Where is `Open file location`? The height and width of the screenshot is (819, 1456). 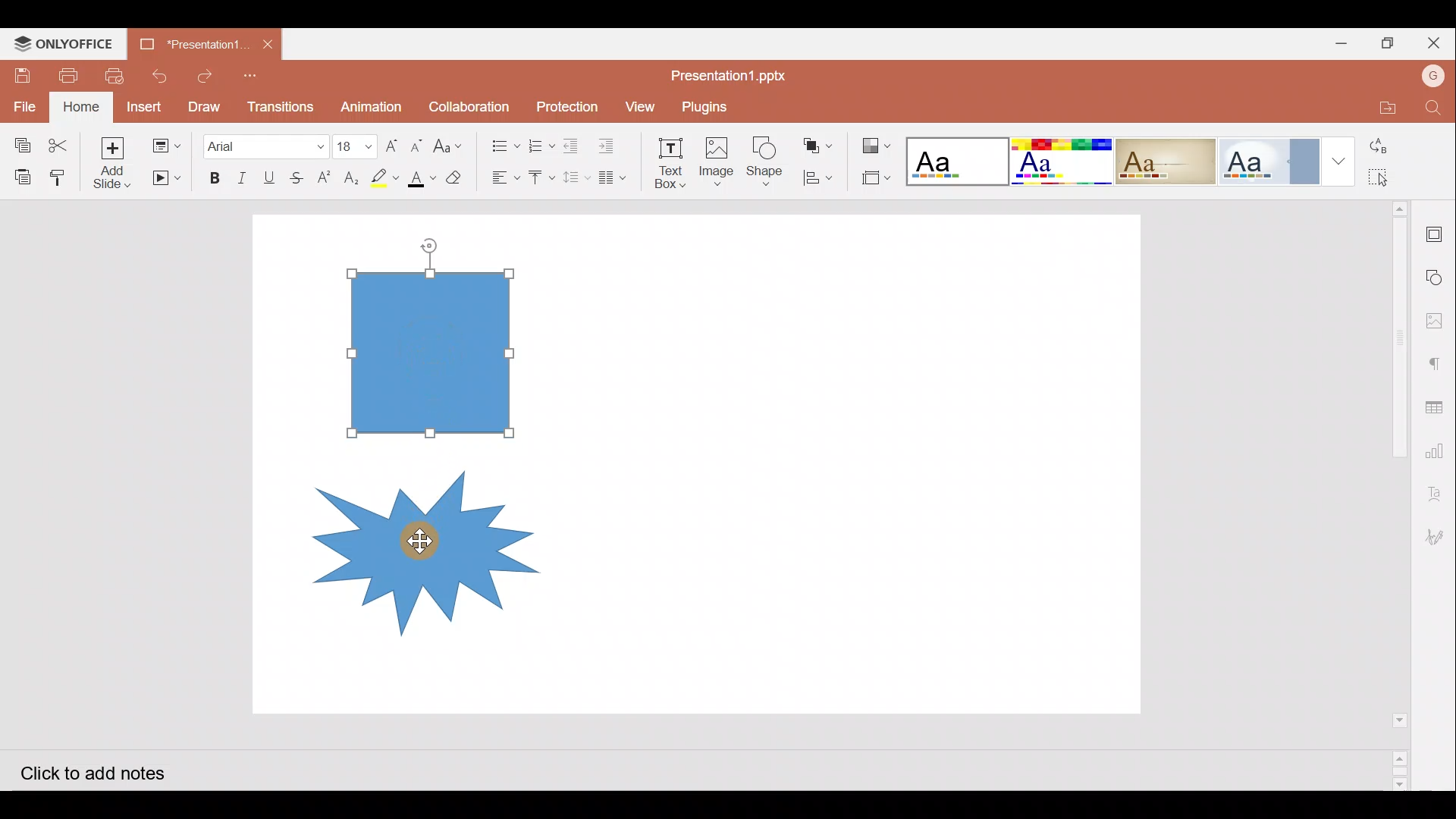 Open file location is located at coordinates (1382, 108).